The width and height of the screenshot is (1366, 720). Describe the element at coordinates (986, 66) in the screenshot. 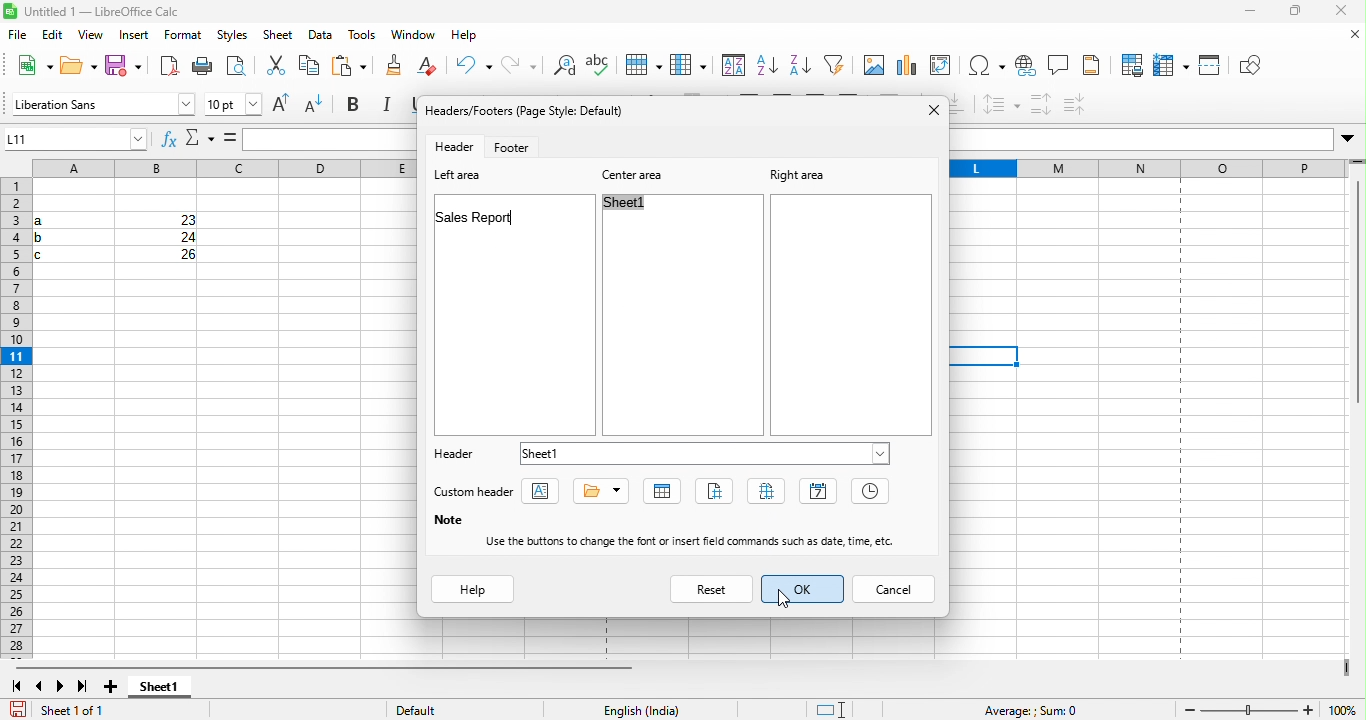

I see `special character` at that location.